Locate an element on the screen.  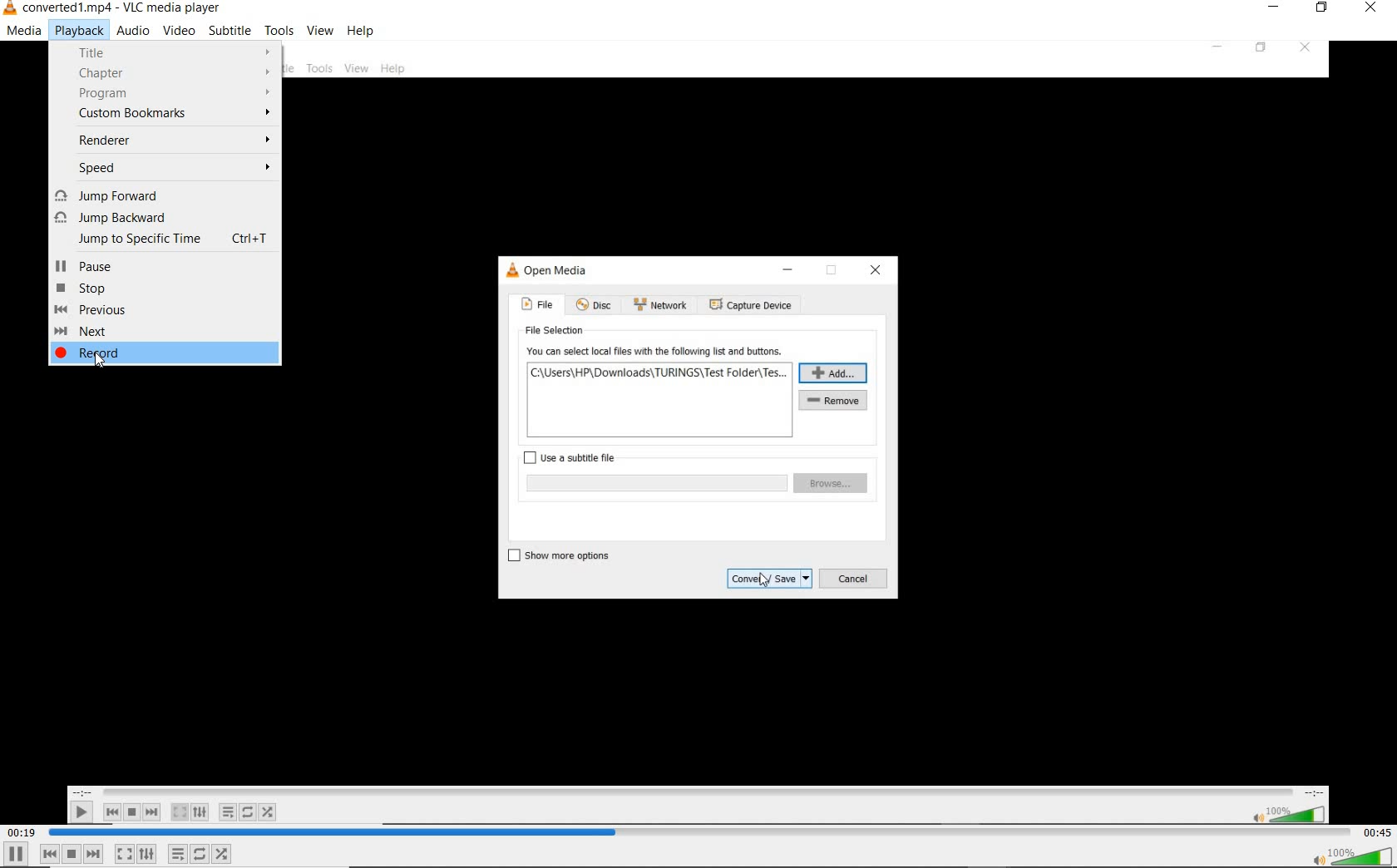
speed is located at coordinates (173, 168).